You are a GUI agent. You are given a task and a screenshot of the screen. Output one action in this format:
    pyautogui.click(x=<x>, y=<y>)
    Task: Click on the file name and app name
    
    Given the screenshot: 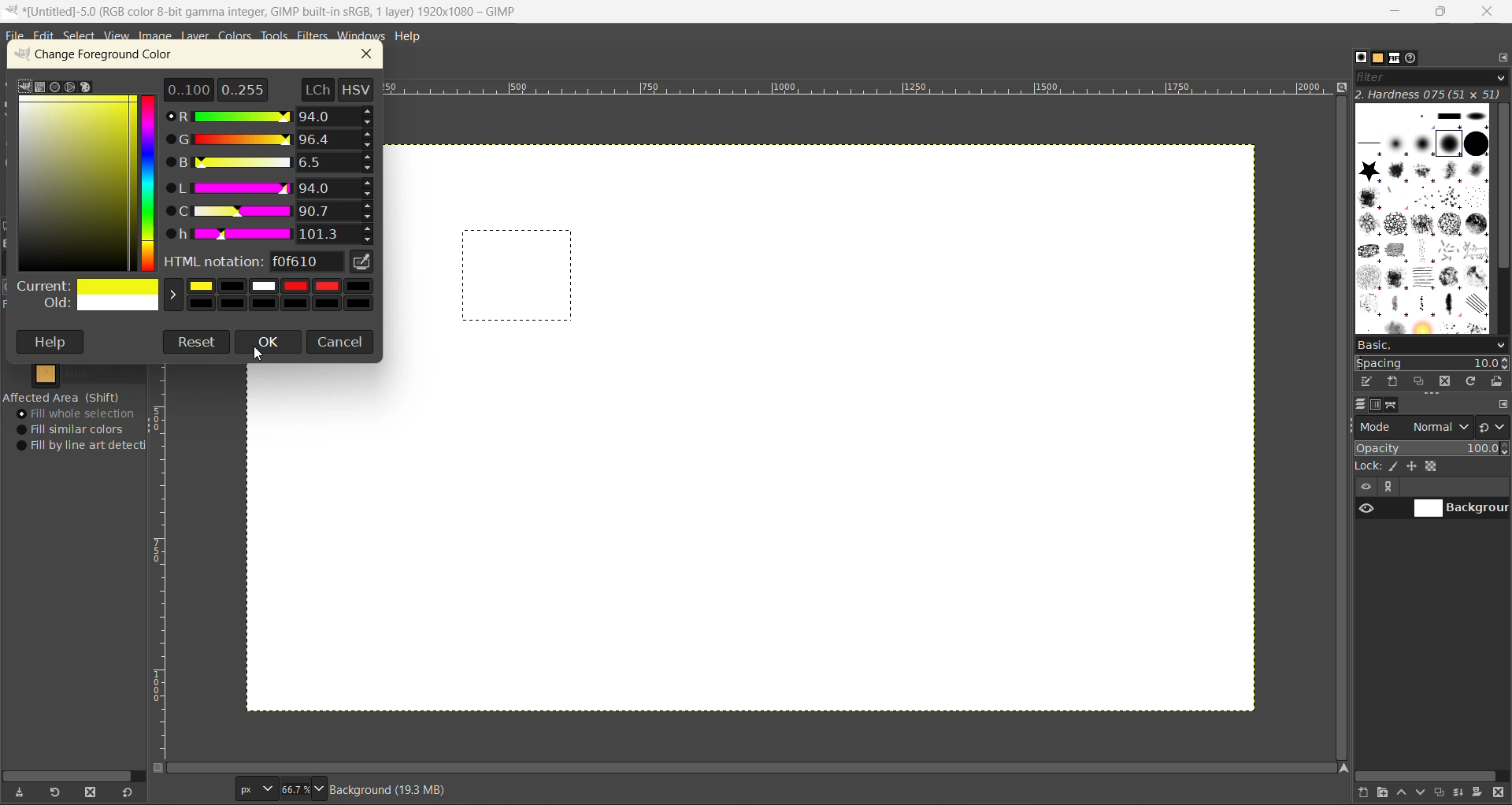 What is the action you would take?
    pyautogui.click(x=278, y=11)
    